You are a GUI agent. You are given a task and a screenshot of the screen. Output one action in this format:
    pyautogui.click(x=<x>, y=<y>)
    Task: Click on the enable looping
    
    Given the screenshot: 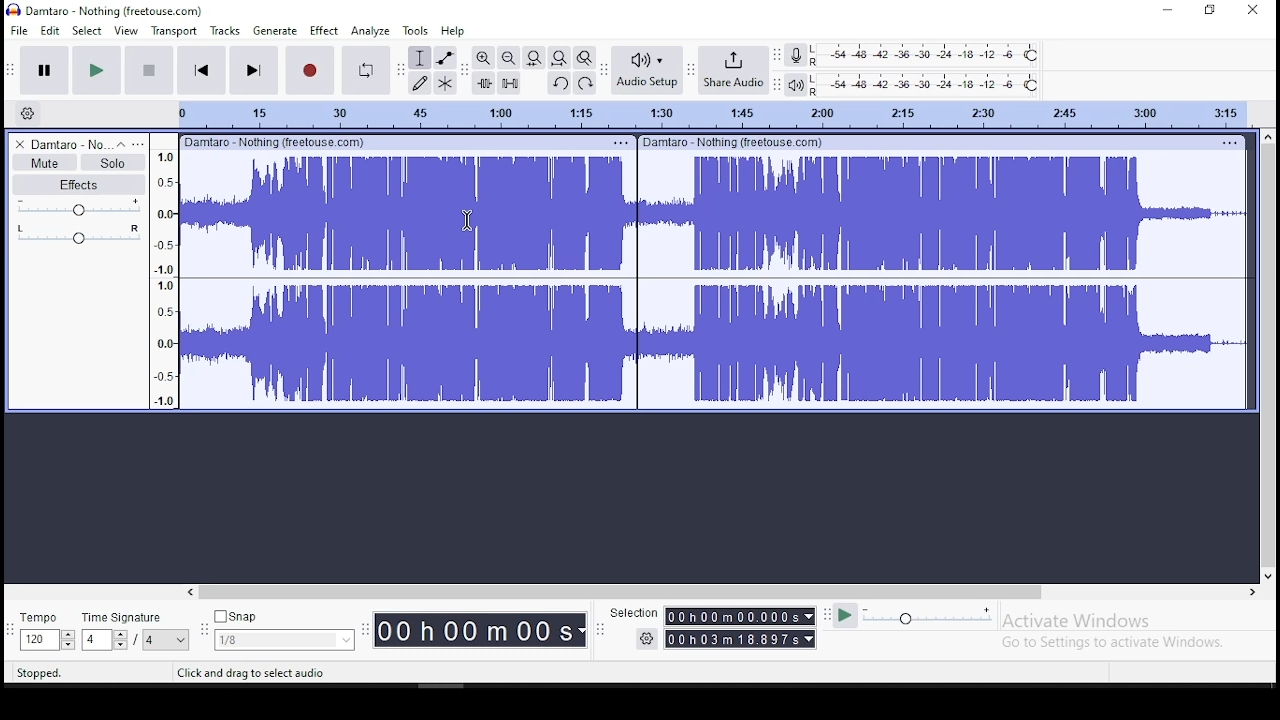 What is the action you would take?
    pyautogui.click(x=364, y=71)
    